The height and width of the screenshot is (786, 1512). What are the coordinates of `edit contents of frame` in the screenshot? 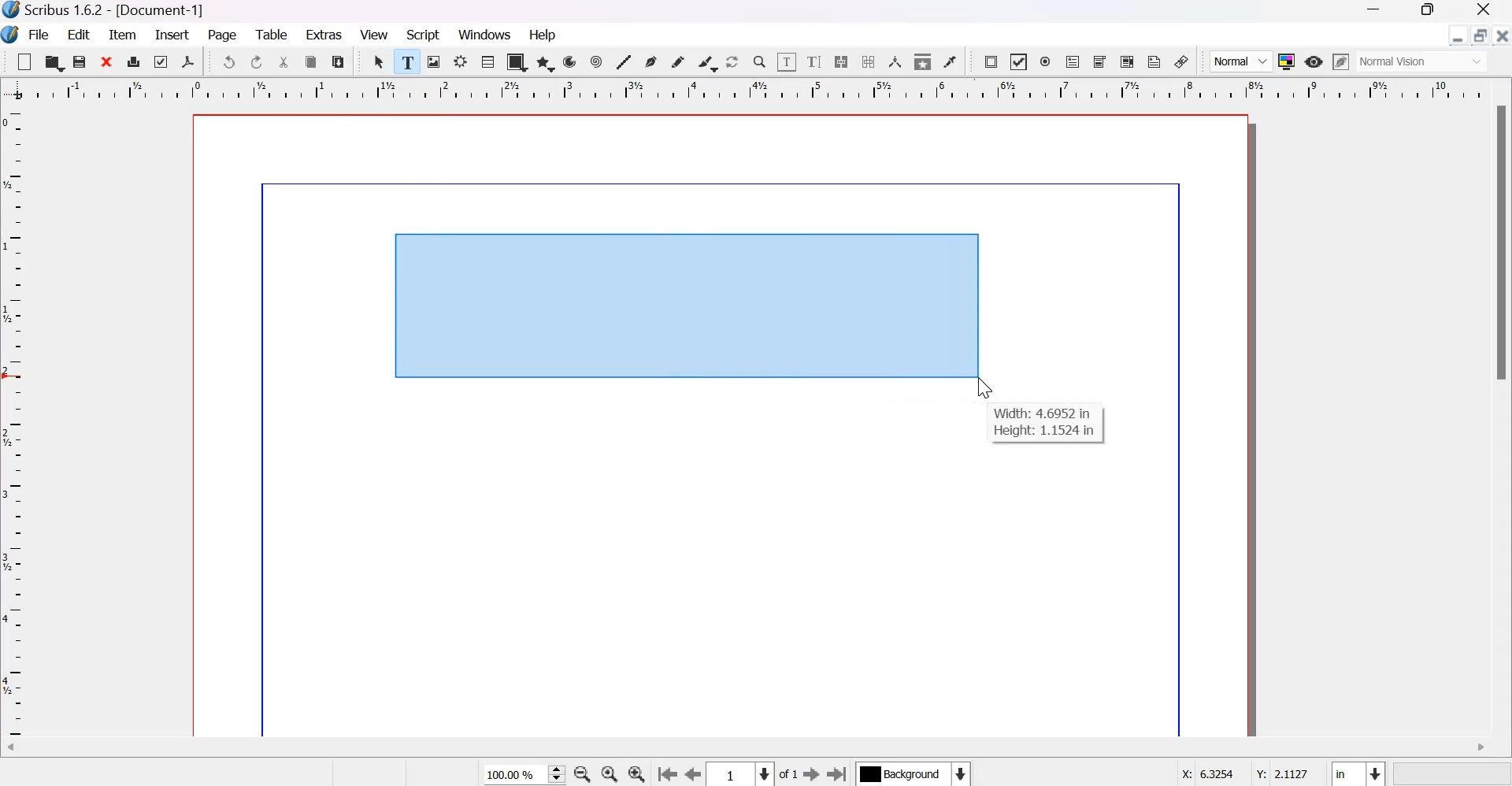 It's located at (786, 61).